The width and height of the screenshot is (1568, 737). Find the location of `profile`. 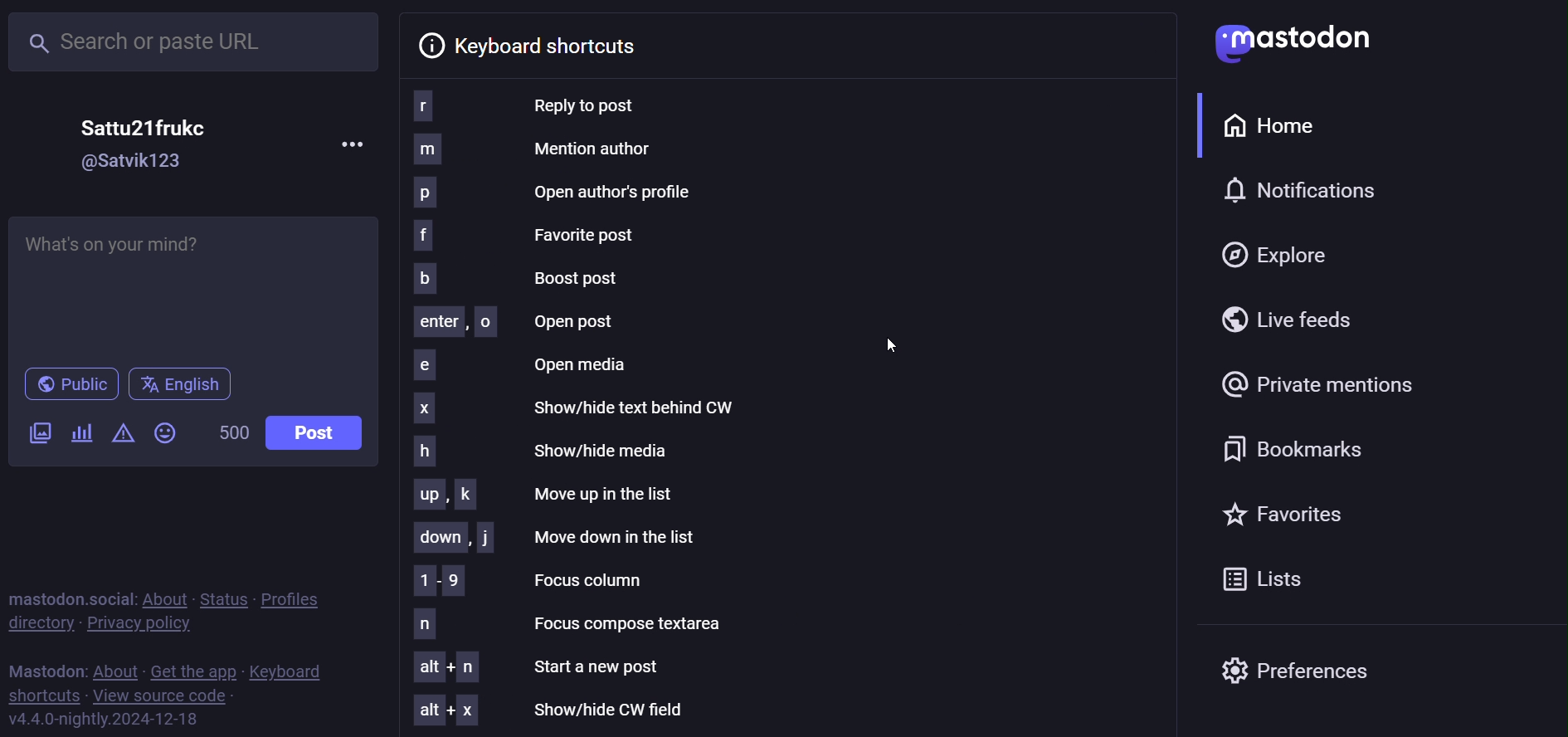

profile is located at coordinates (298, 598).